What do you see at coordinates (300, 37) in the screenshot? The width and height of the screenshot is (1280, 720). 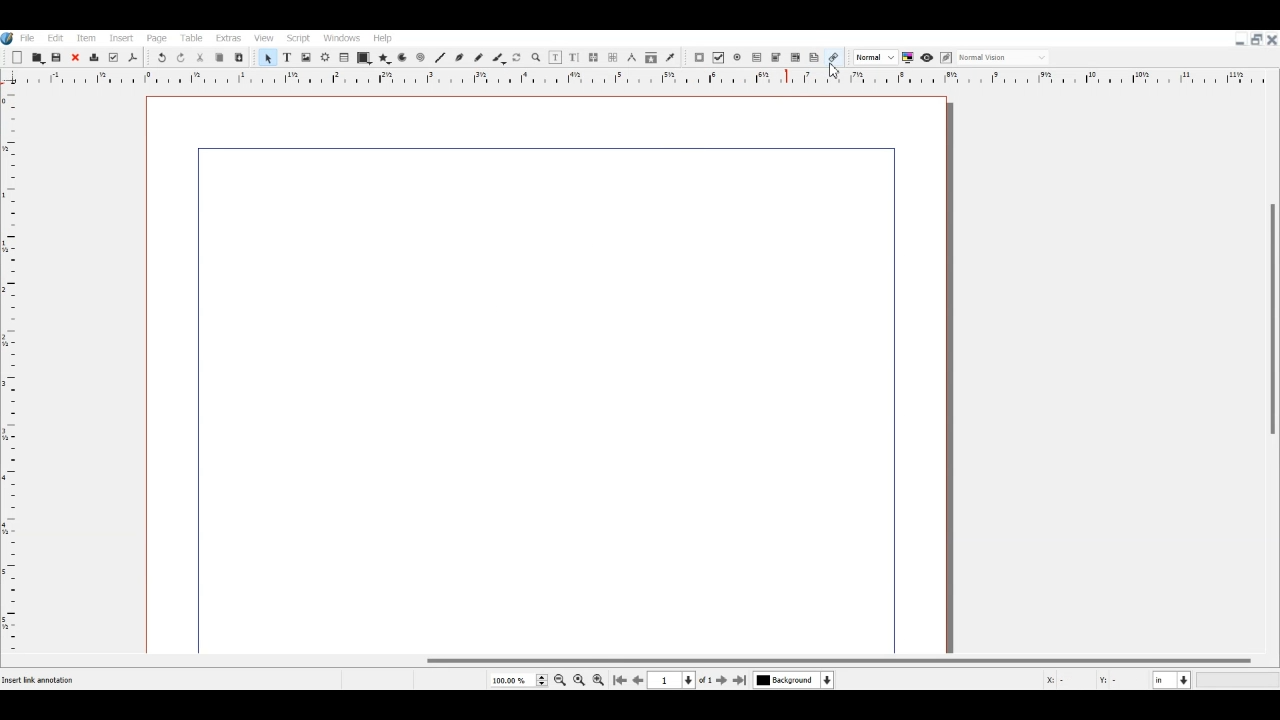 I see `Script` at bounding box center [300, 37].